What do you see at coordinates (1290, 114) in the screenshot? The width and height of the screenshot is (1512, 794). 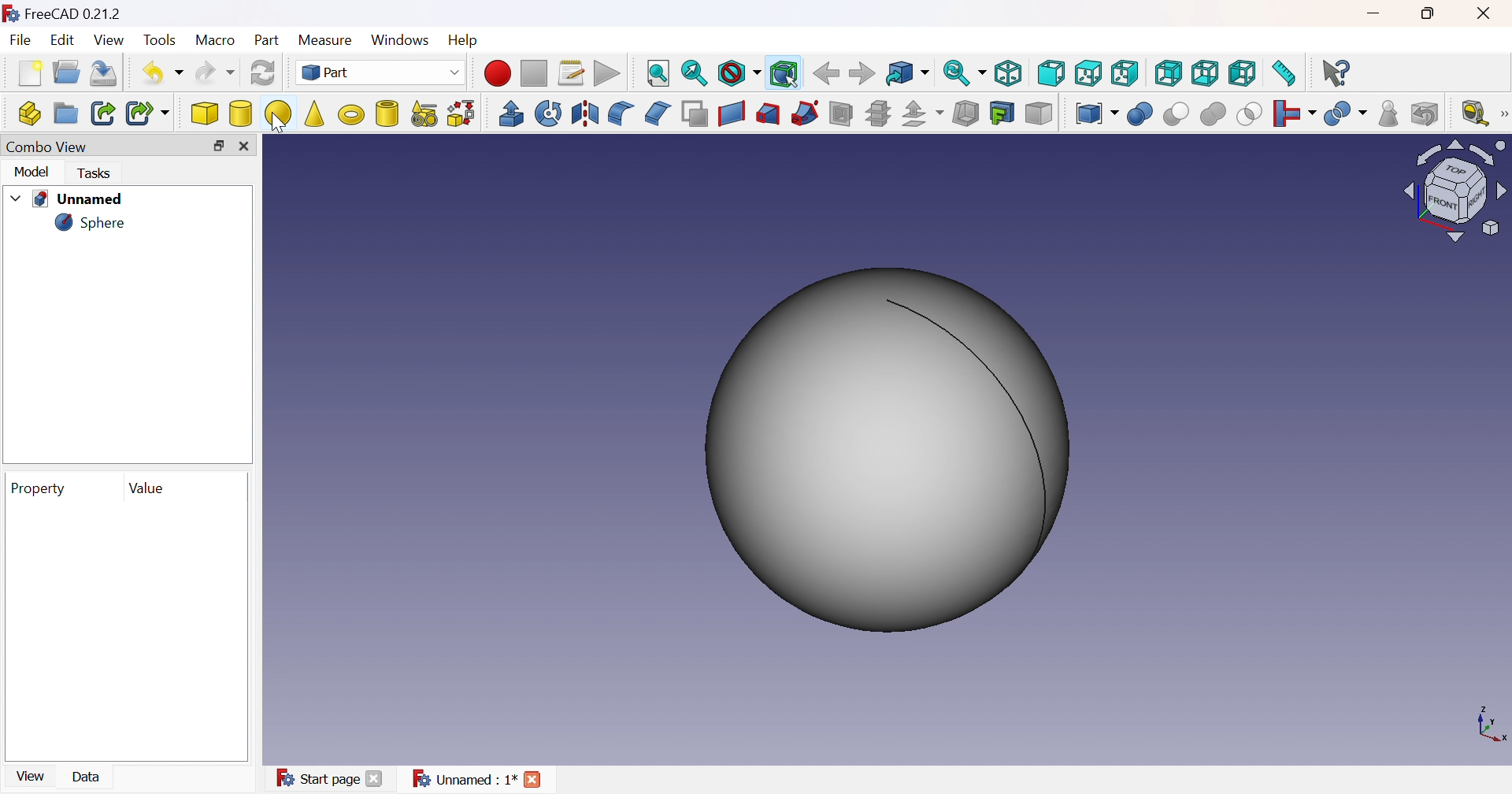 I see `Join objects` at bounding box center [1290, 114].